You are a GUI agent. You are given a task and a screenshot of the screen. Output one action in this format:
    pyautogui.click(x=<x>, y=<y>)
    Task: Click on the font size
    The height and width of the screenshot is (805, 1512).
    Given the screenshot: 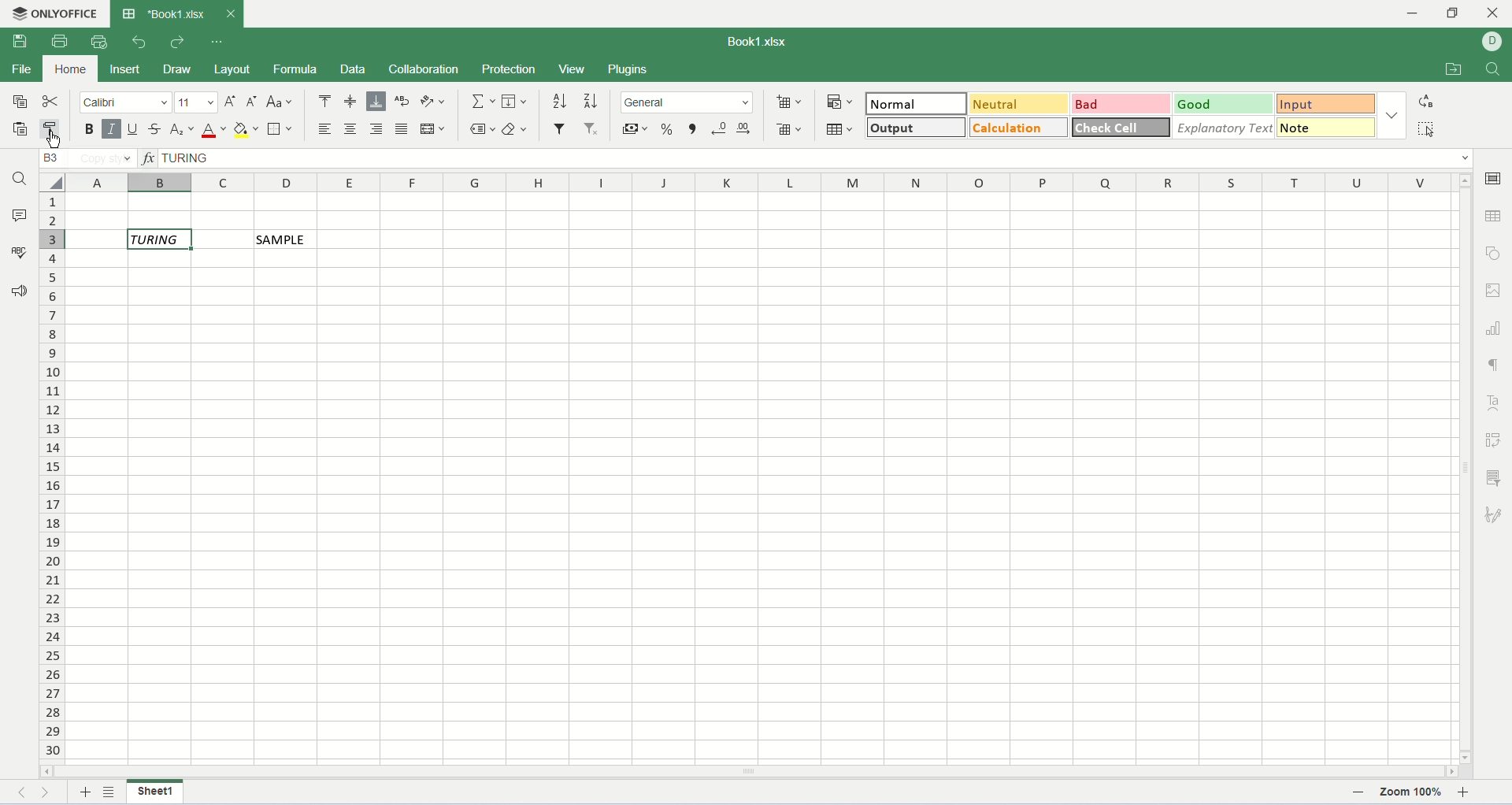 What is the action you would take?
    pyautogui.click(x=198, y=102)
    